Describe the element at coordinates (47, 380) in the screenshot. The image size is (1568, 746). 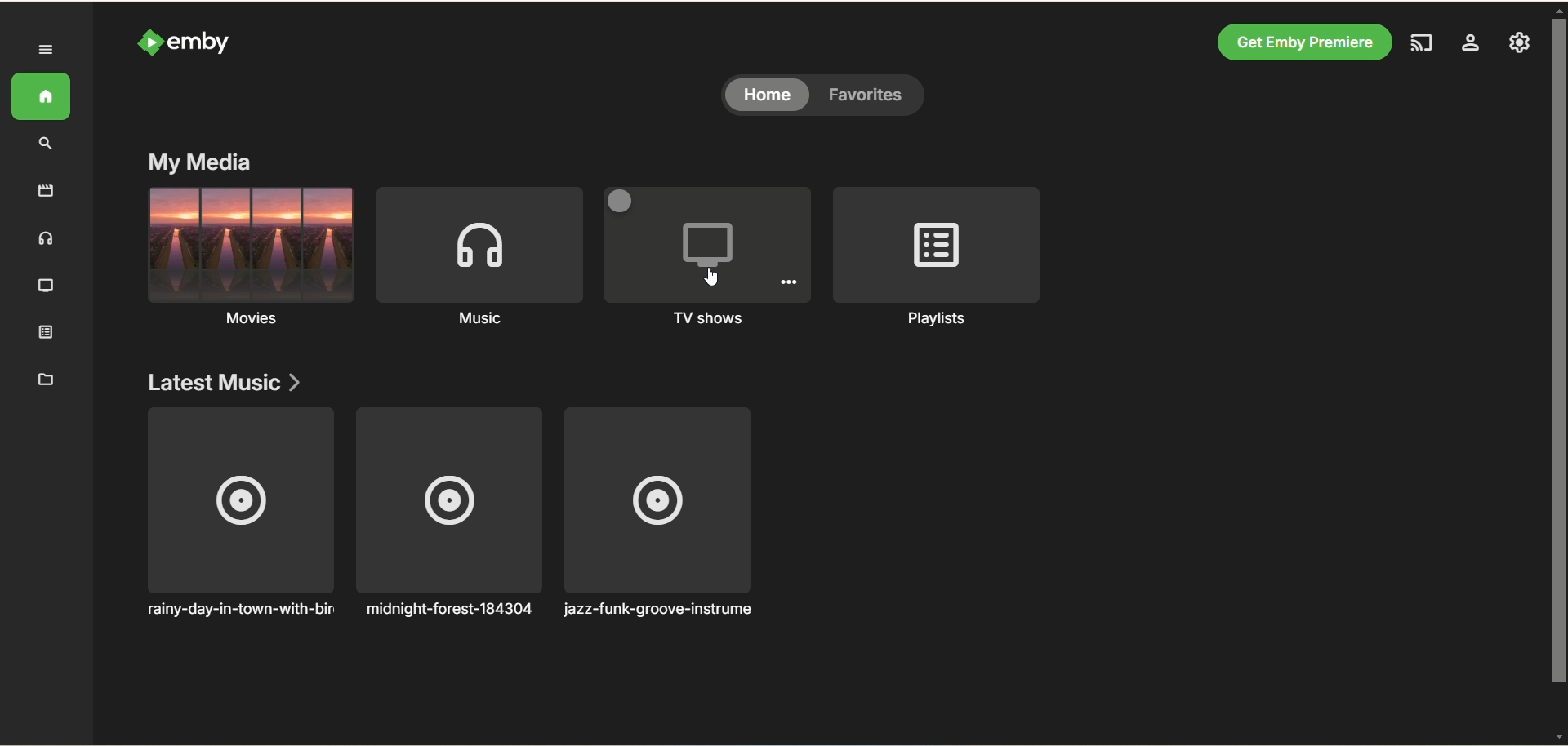
I see `manage metadata` at that location.